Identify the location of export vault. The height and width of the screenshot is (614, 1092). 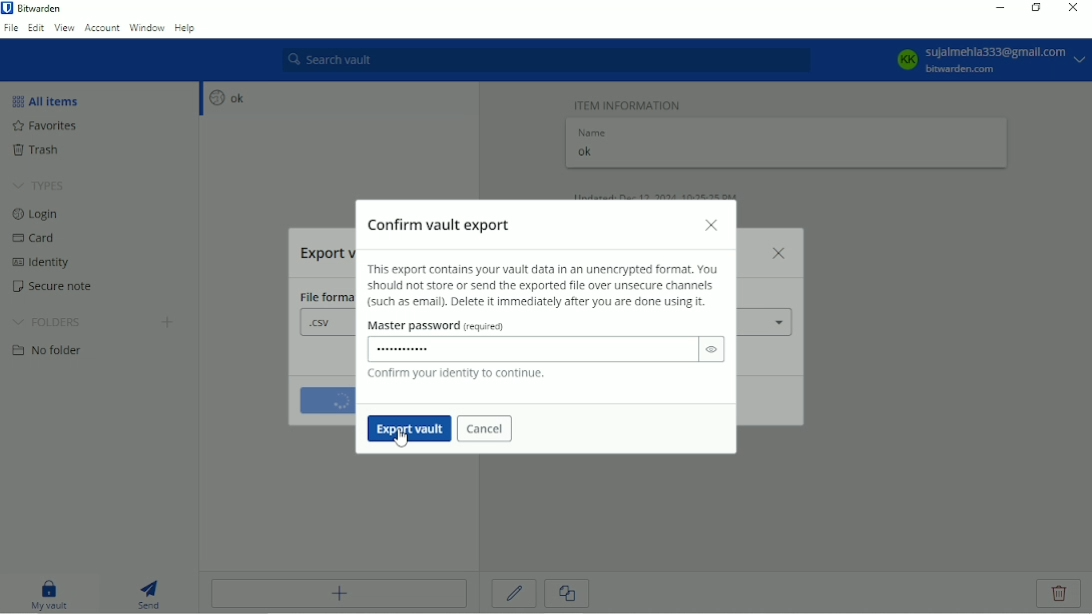
(410, 429).